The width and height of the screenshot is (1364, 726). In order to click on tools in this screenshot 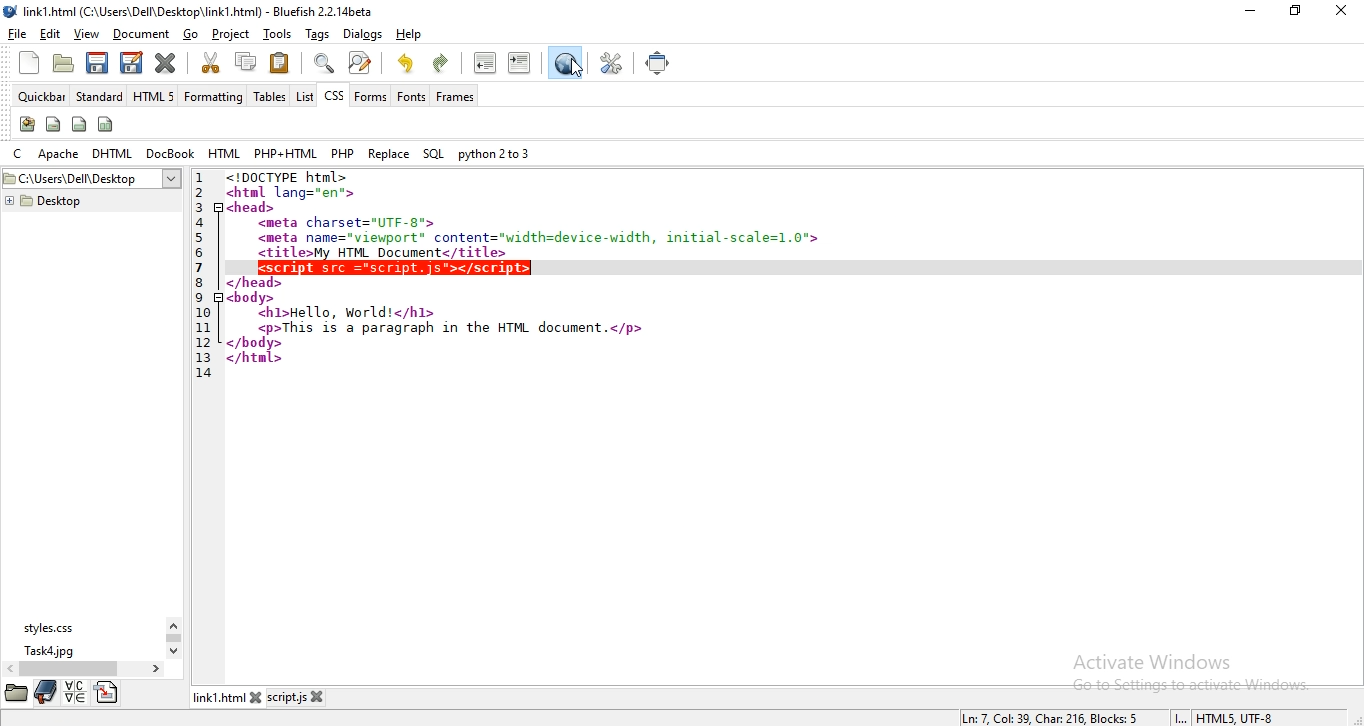, I will do `click(279, 35)`.